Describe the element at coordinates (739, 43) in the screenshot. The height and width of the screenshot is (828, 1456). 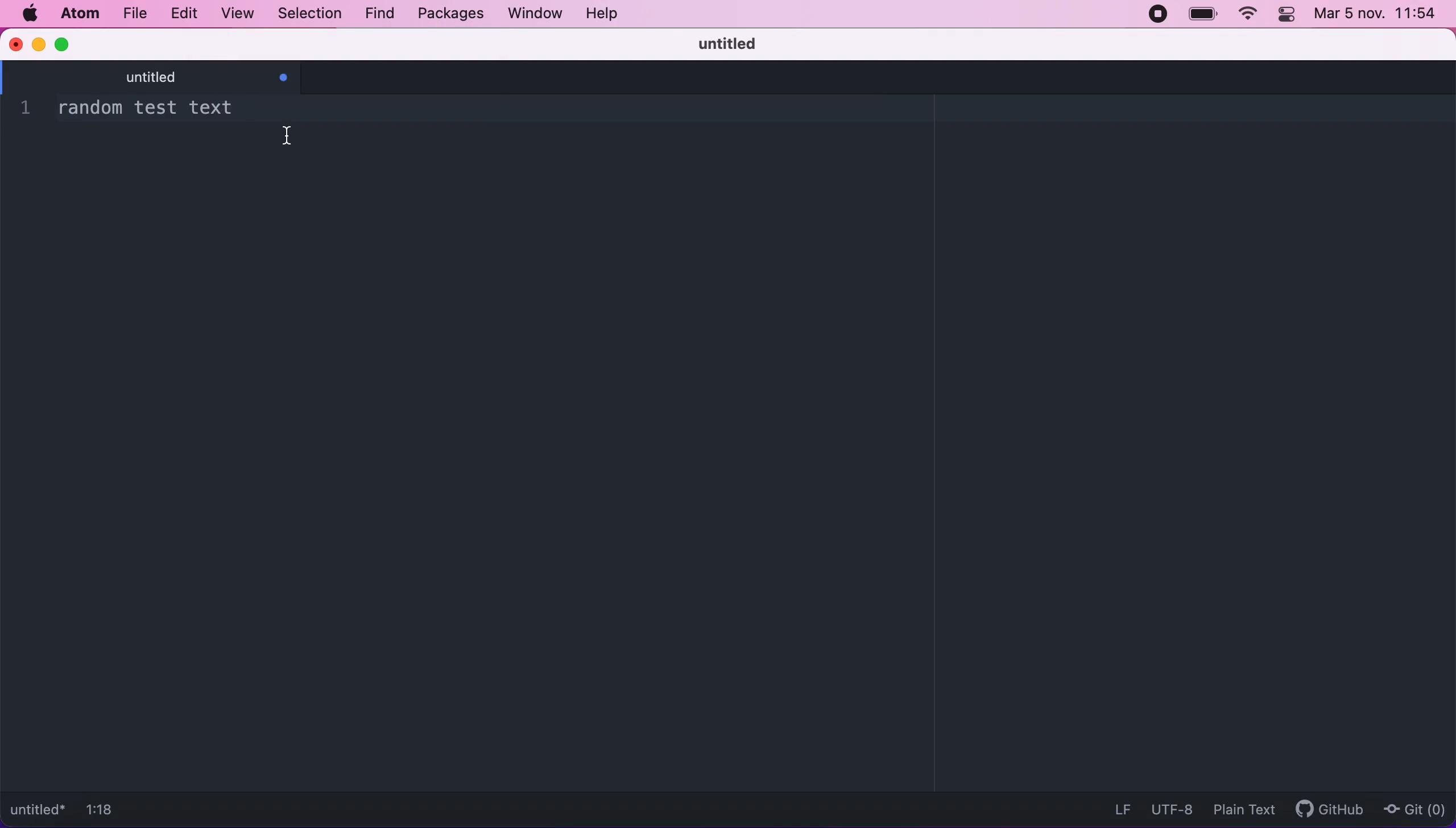
I see `untitled` at that location.